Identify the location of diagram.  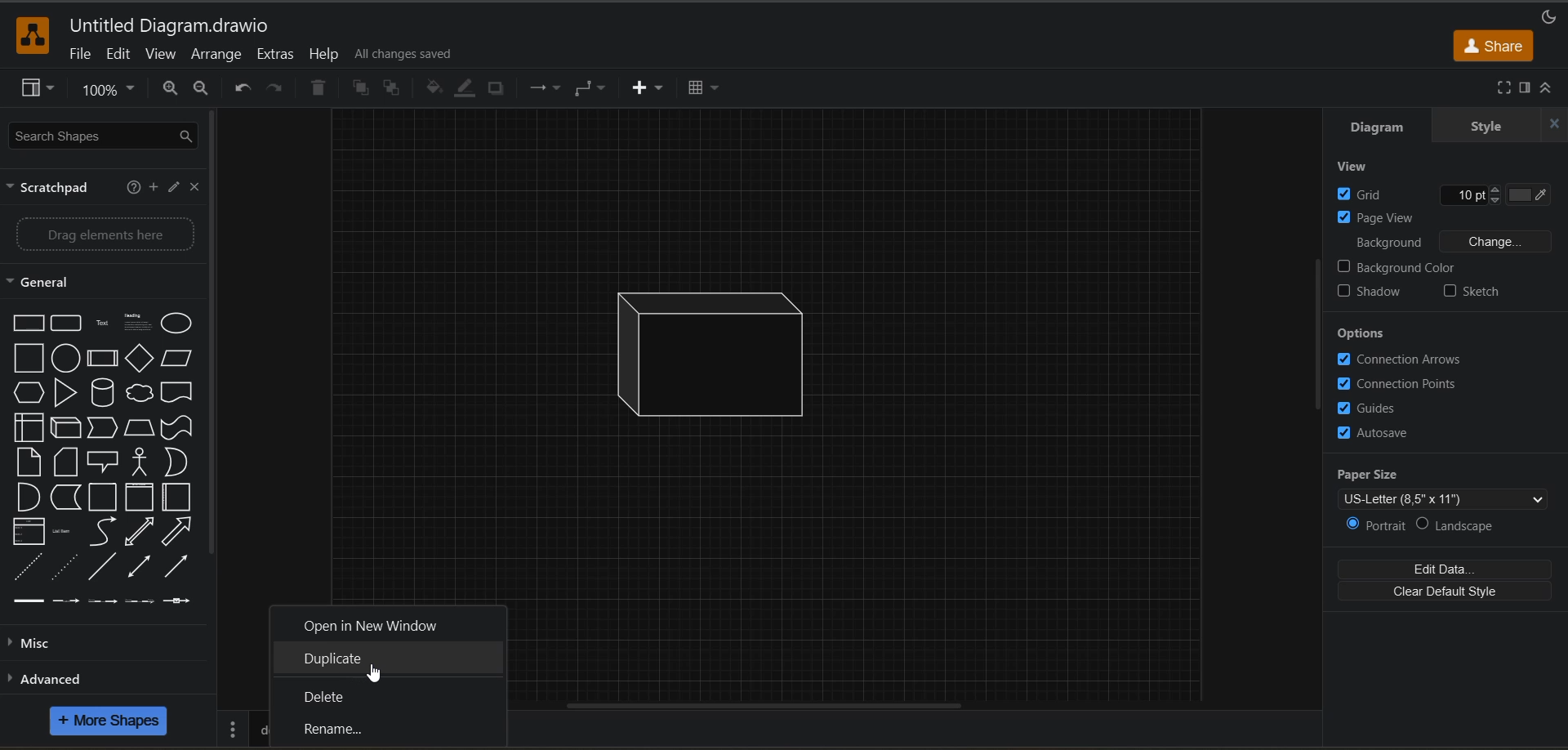
(1391, 126).